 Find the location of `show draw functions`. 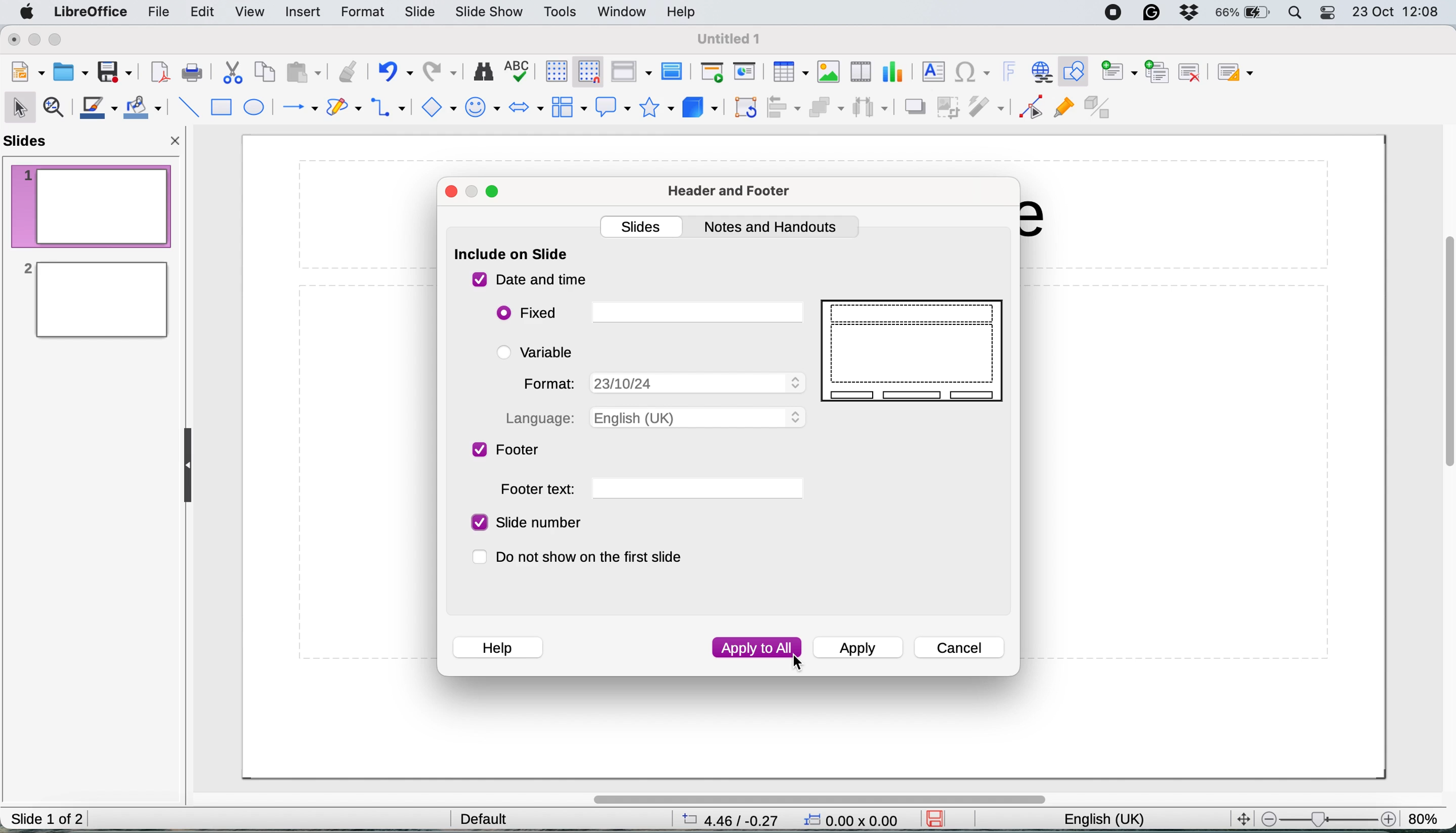

show draw functions is located at coordinates (1077, 72).